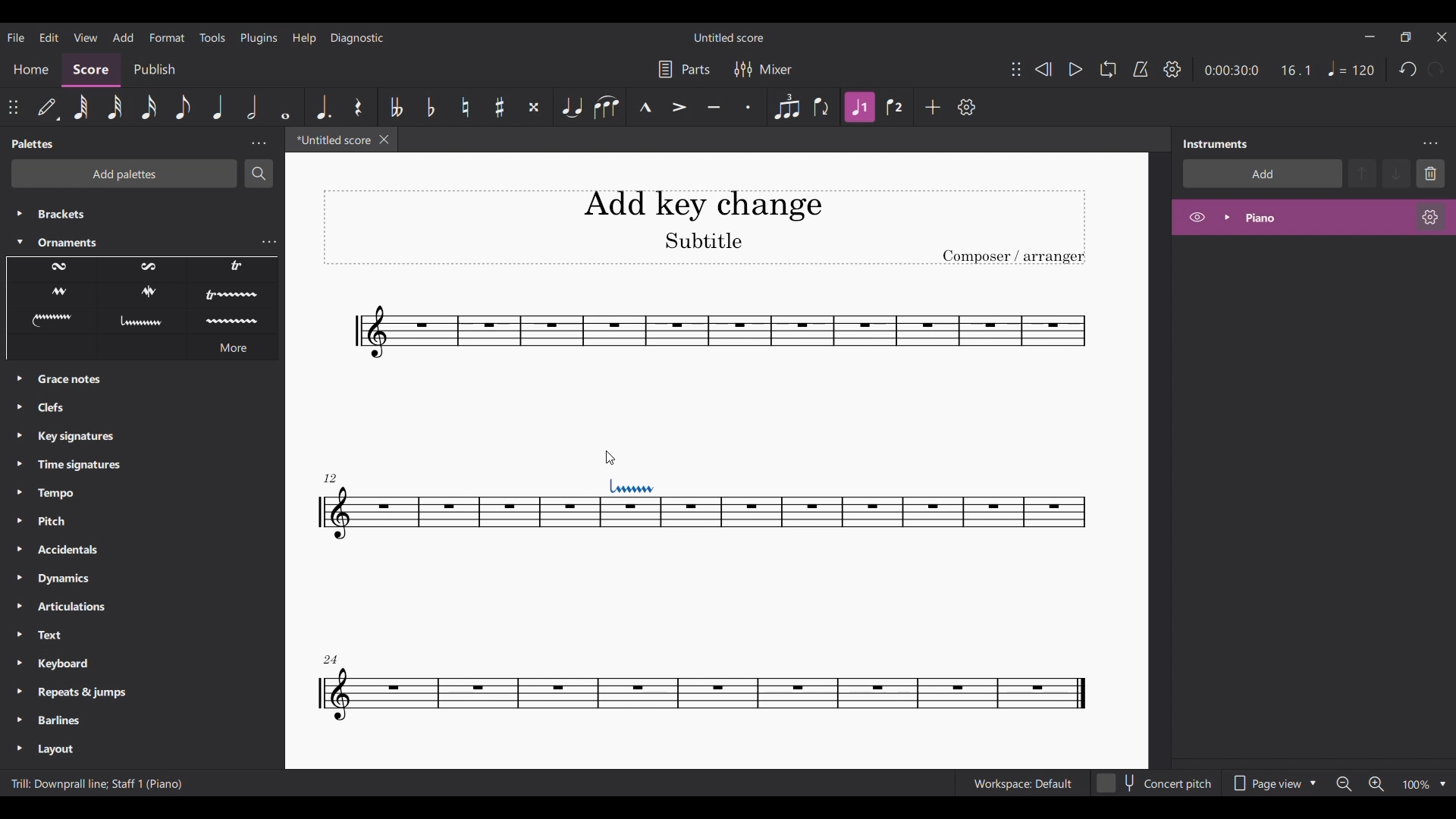 The width and height of the screenshot is (1456, 819). What do you see at coordinates (1015, 69) in the screenshot?
I see `Change position of toolbar attached` at bounding box center [1015, 69].